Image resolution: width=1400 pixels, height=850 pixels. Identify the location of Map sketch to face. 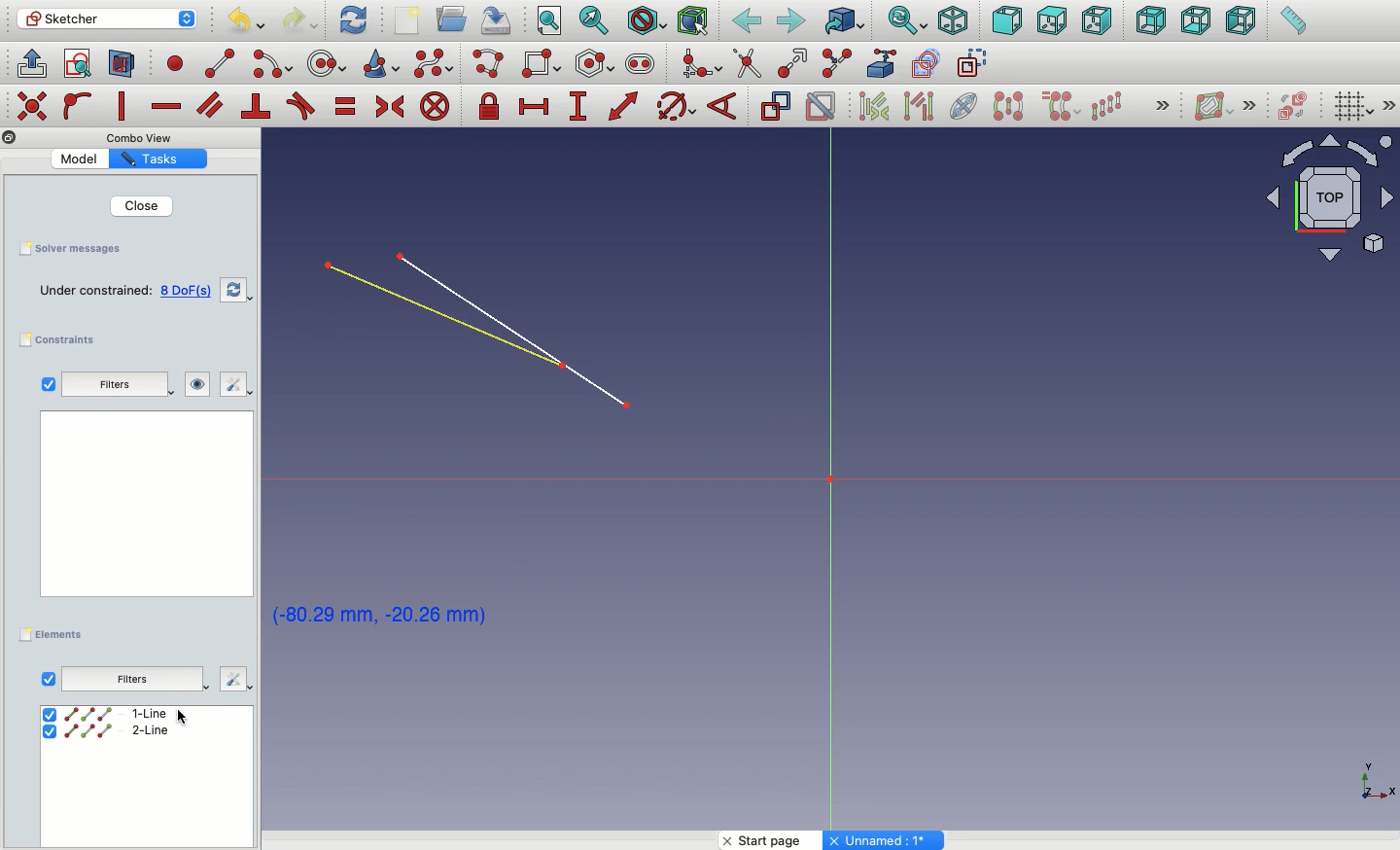
(122, 64).